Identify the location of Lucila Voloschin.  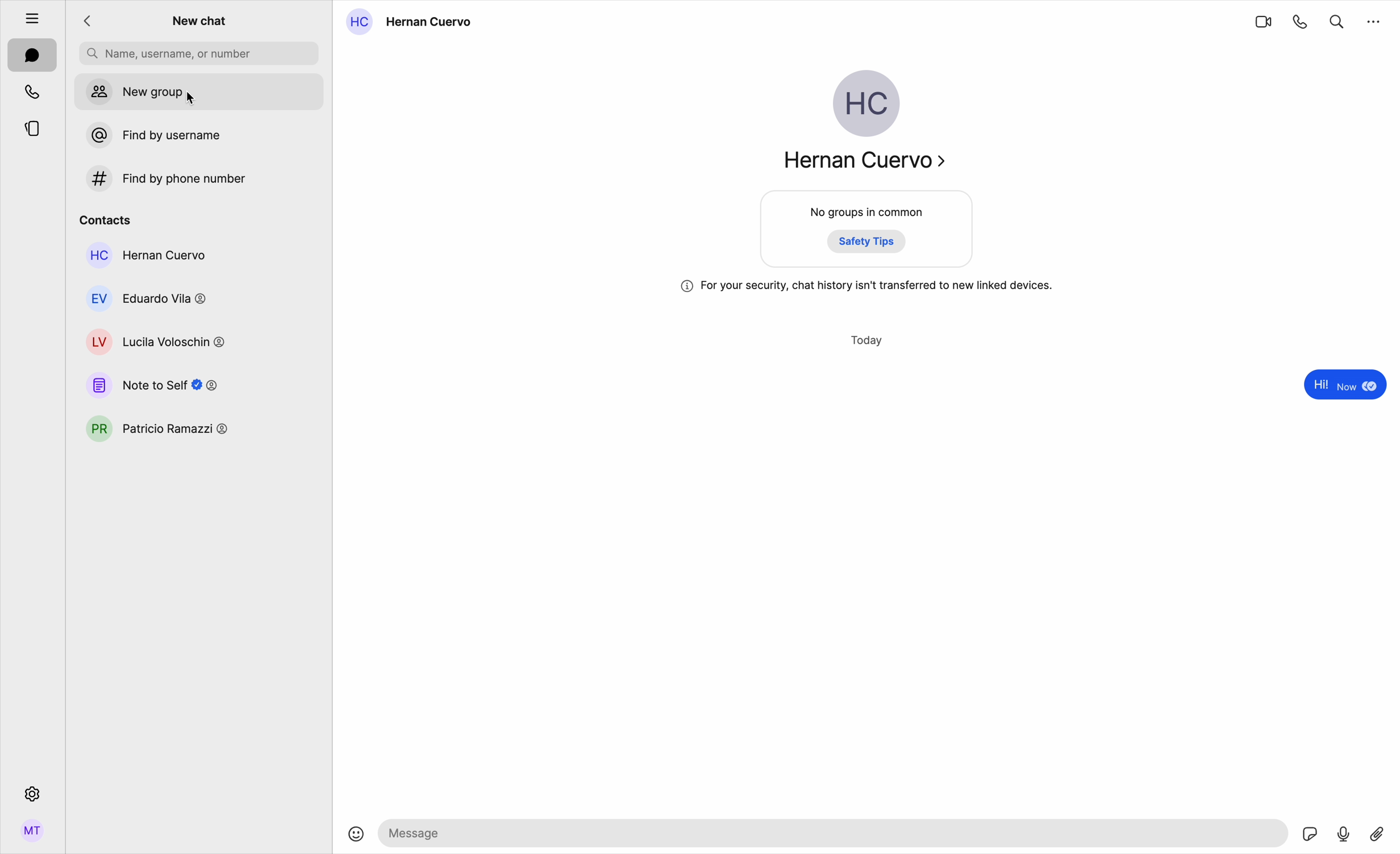
(155, 341).